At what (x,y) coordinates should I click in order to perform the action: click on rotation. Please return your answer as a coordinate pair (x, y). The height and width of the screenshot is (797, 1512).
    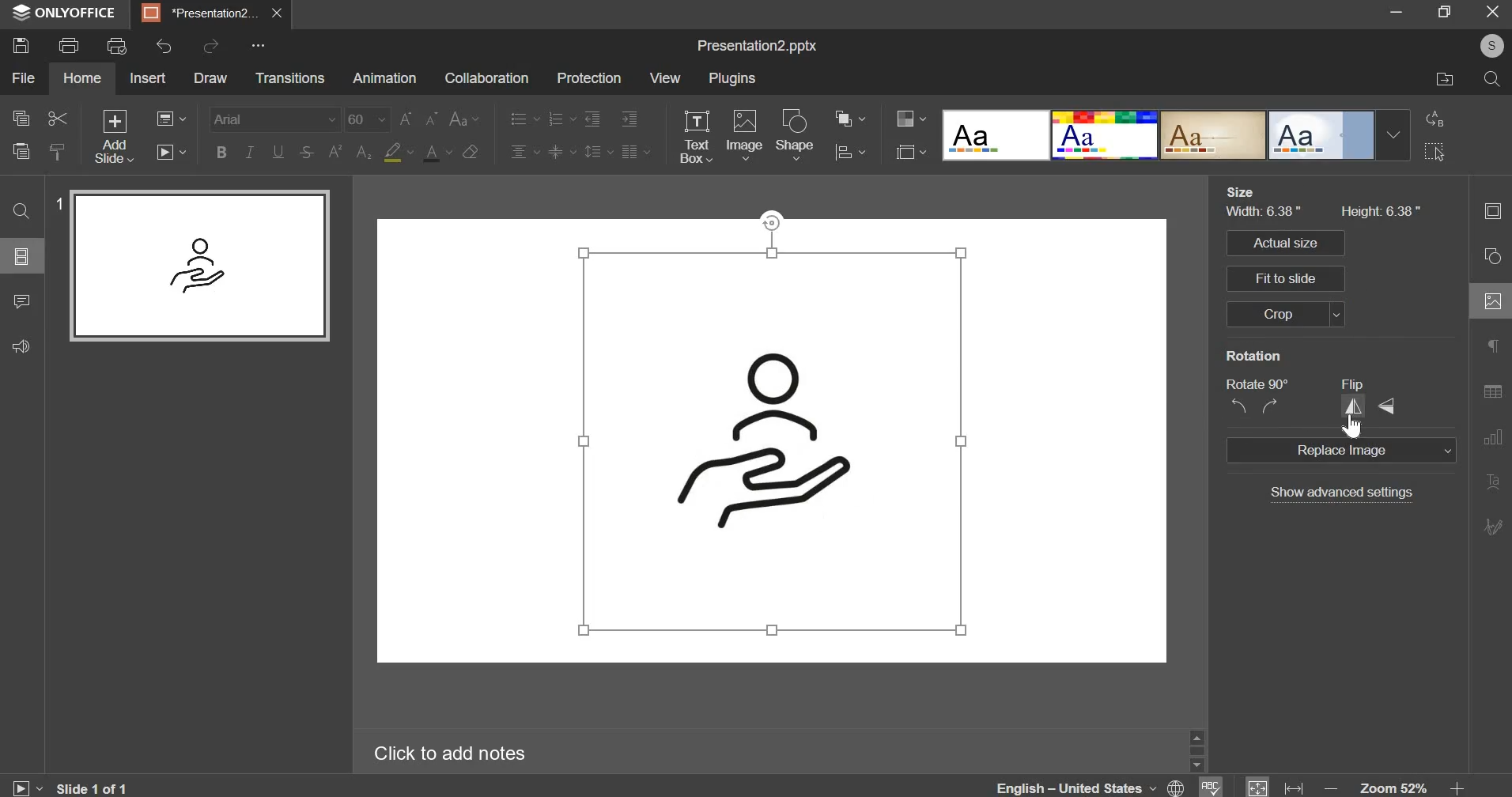
    Looking at the image, I should click on (1257, 357).